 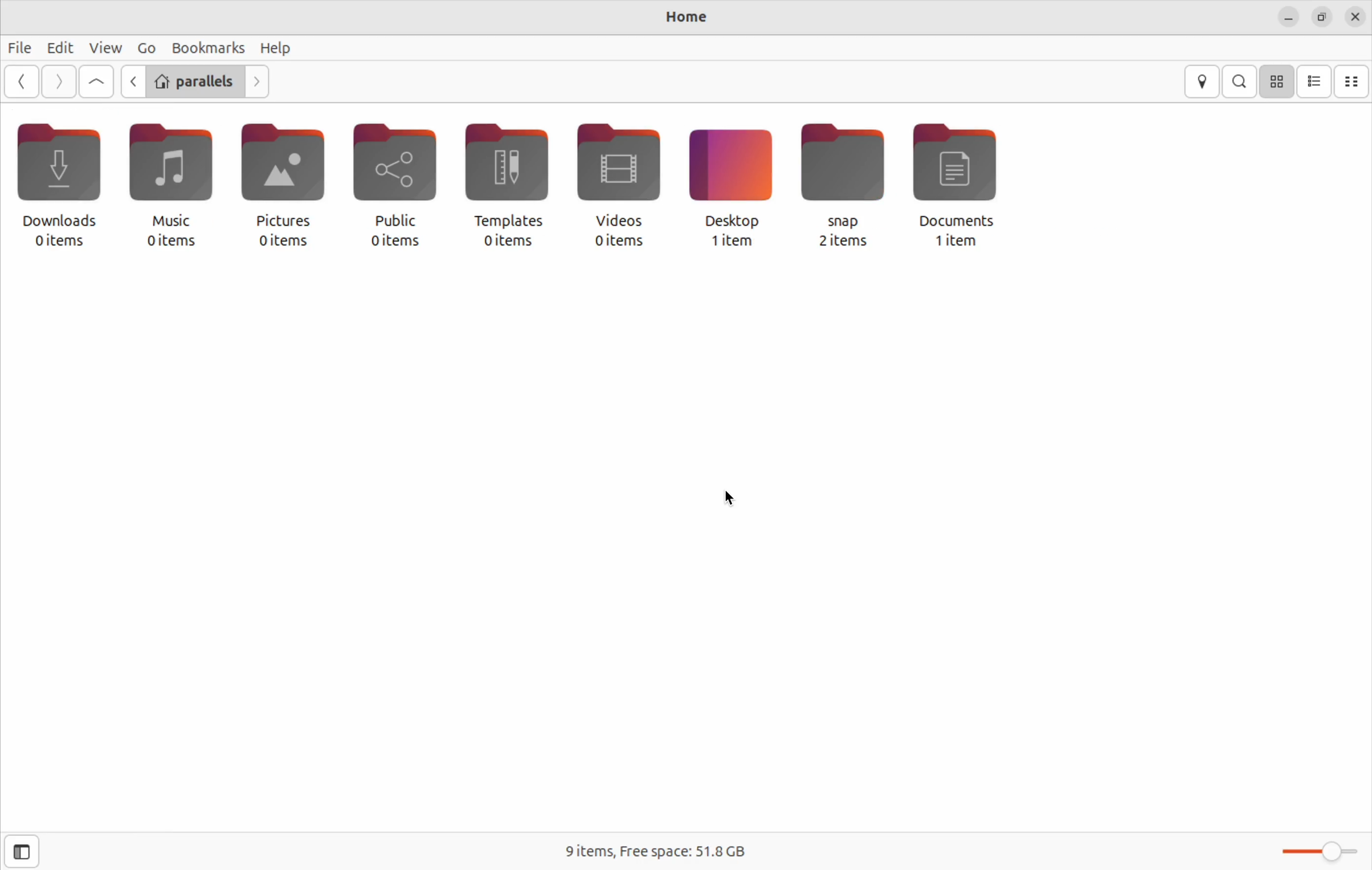 What do you see at coordinates (1278, 81) in the screenshot?
I see `icon view` at bounding box center [1278, 81].